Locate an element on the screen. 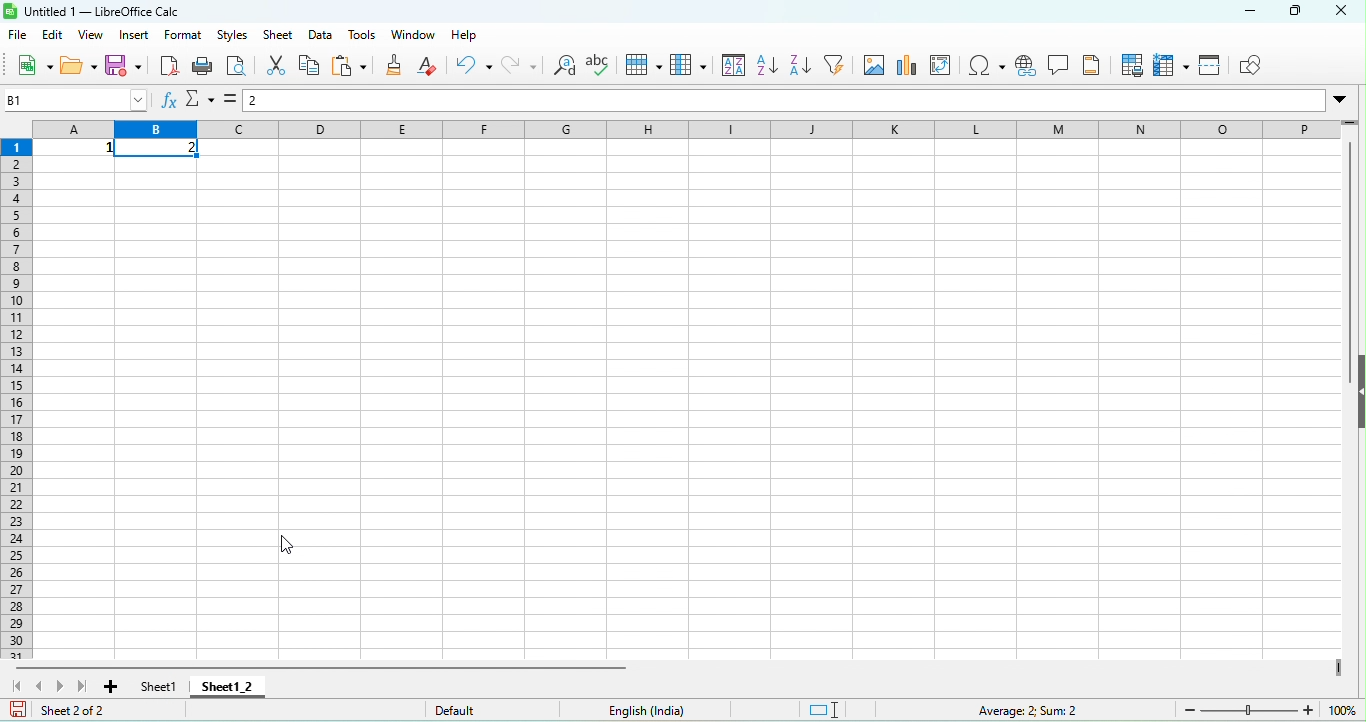 This screenshot has width=1366, height=722. formula bar is located at coordinates (809, 102).